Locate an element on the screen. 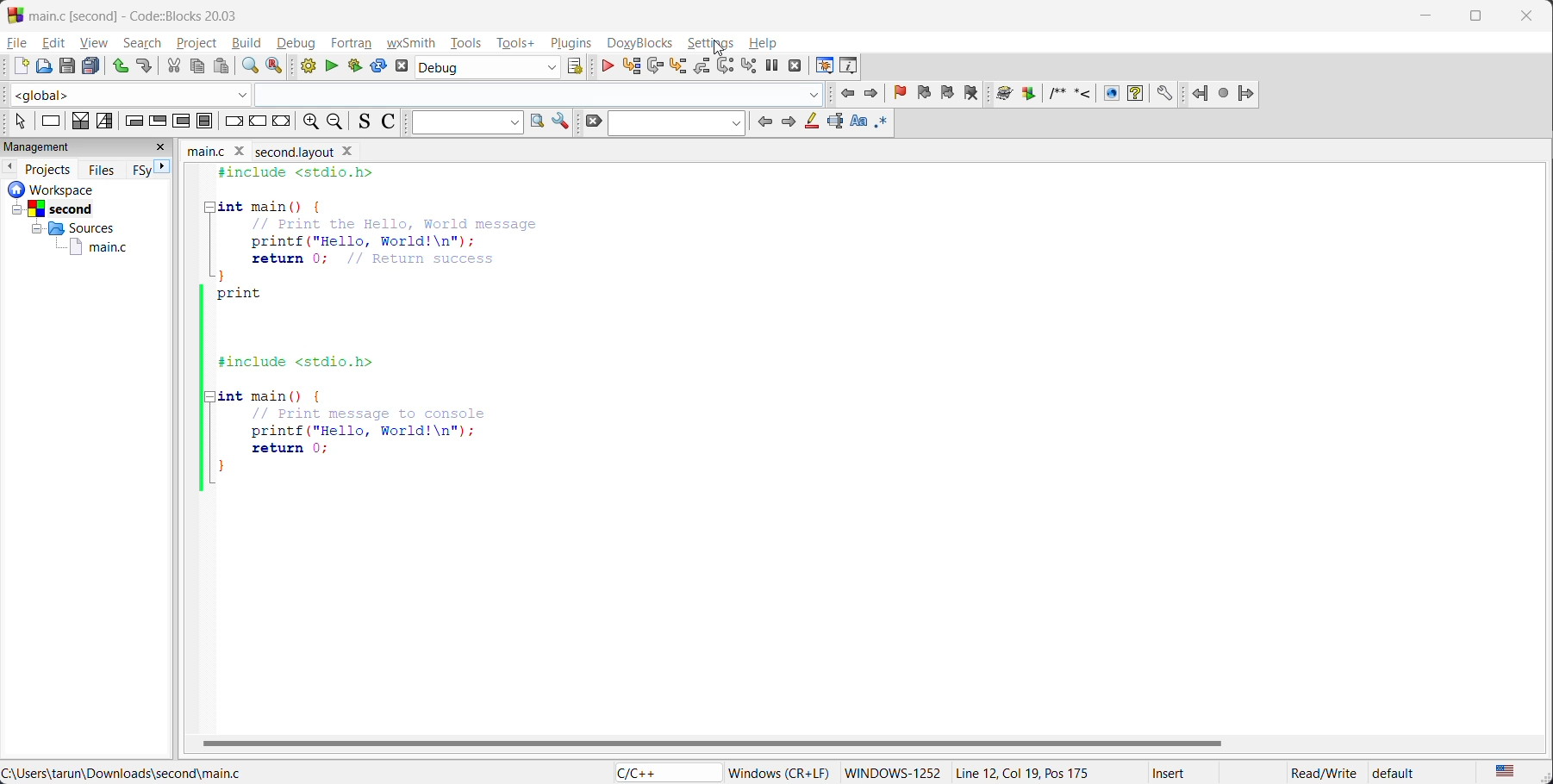  build target is located at coordinates (486, 66).